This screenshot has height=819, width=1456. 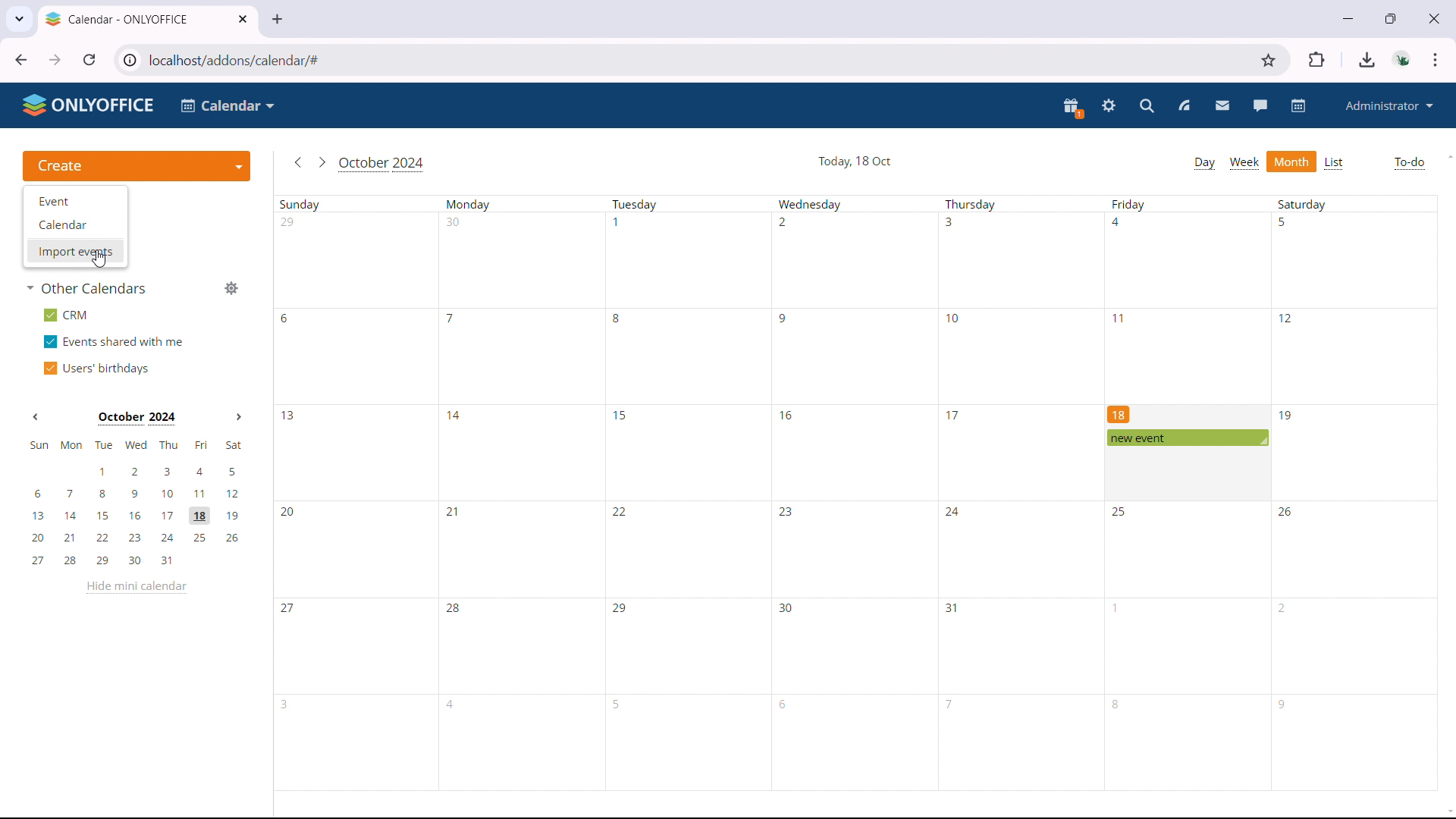 I want to click on Previous month, so click(x=34, y=418).